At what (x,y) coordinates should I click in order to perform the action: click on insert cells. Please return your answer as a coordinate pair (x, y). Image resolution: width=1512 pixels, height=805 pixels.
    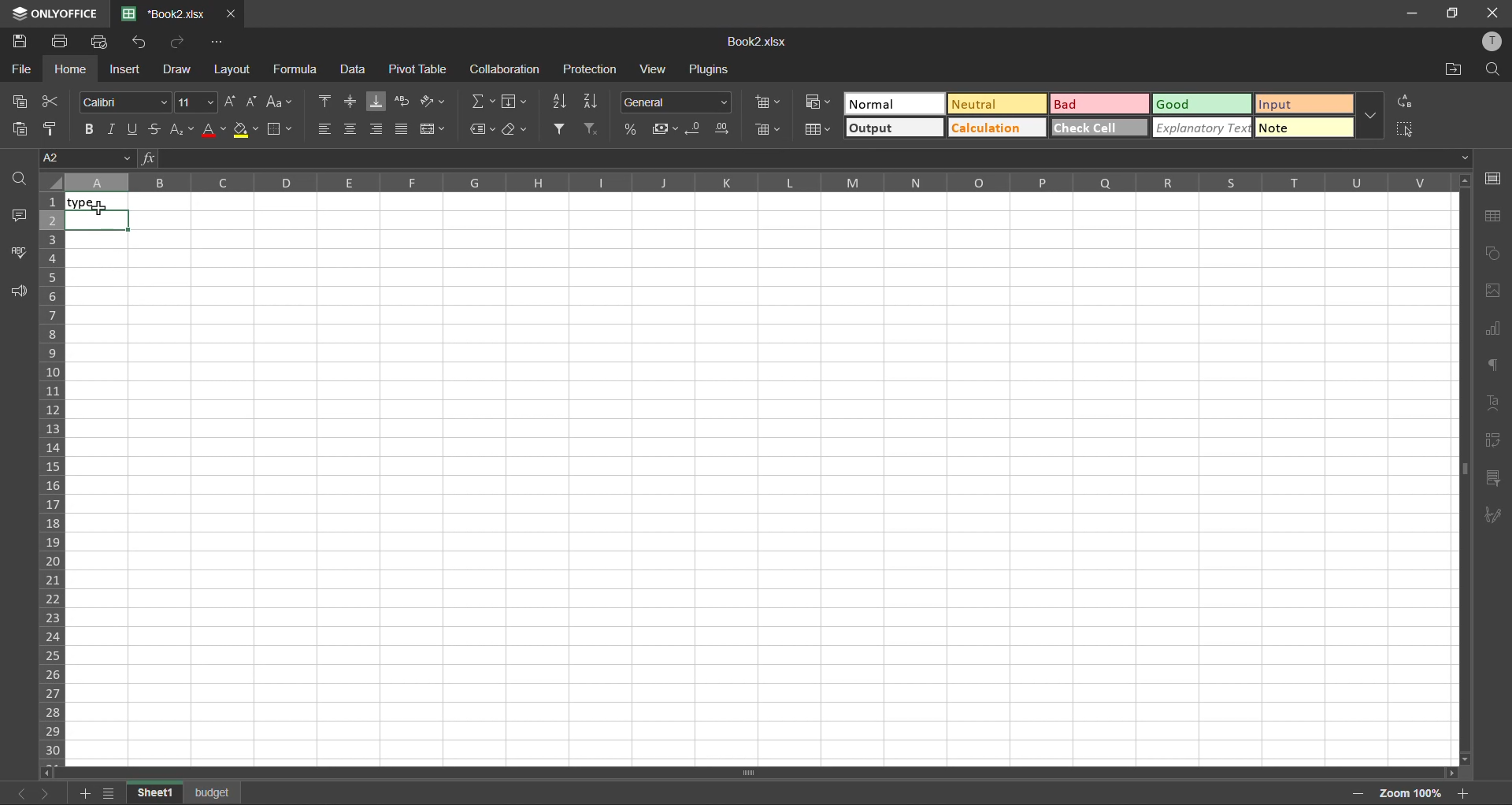
    Looking at the image, I should click on (766, 102).